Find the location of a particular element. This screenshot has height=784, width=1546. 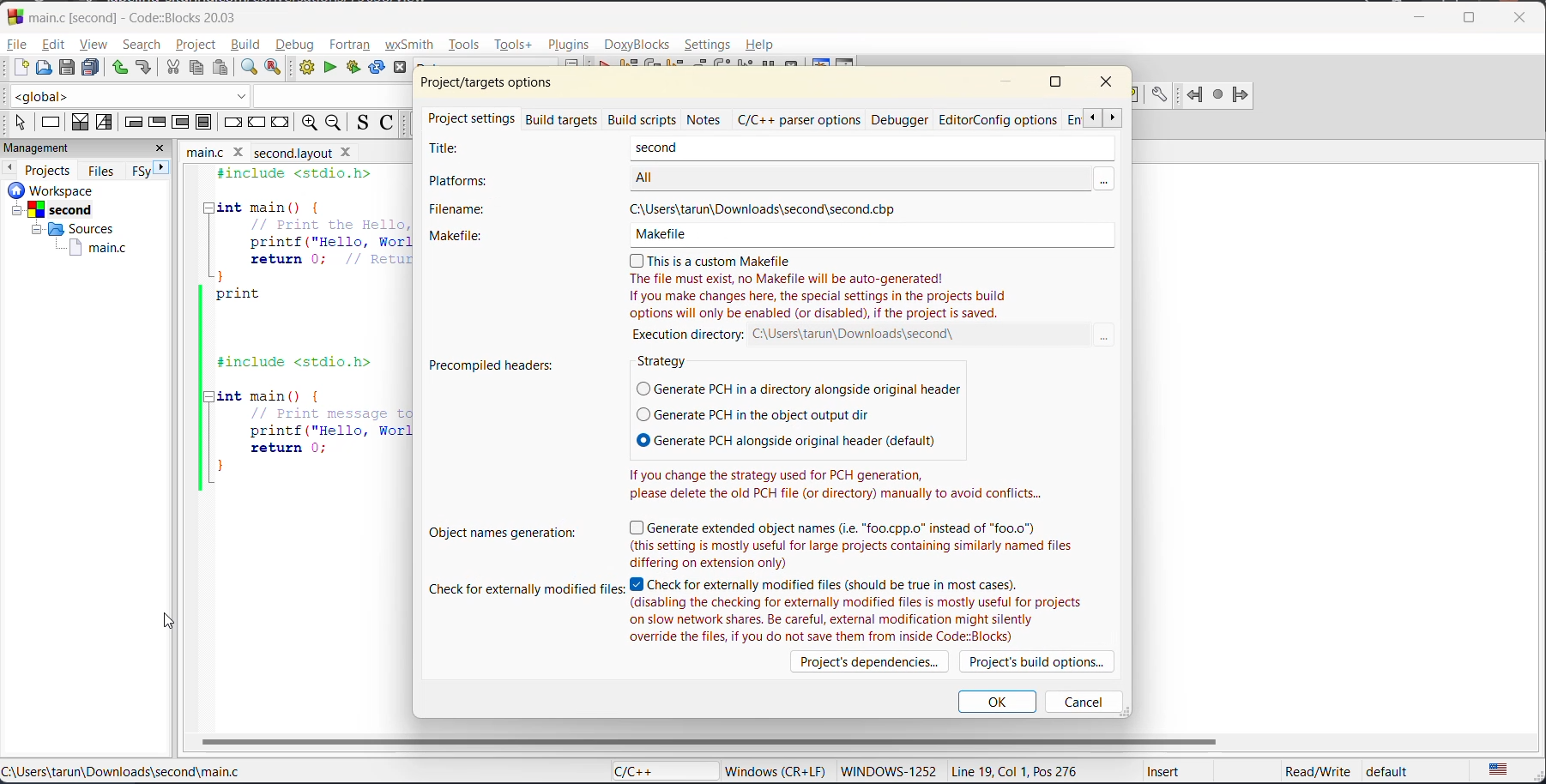

toggle comments is located at coordinates (389, 125).